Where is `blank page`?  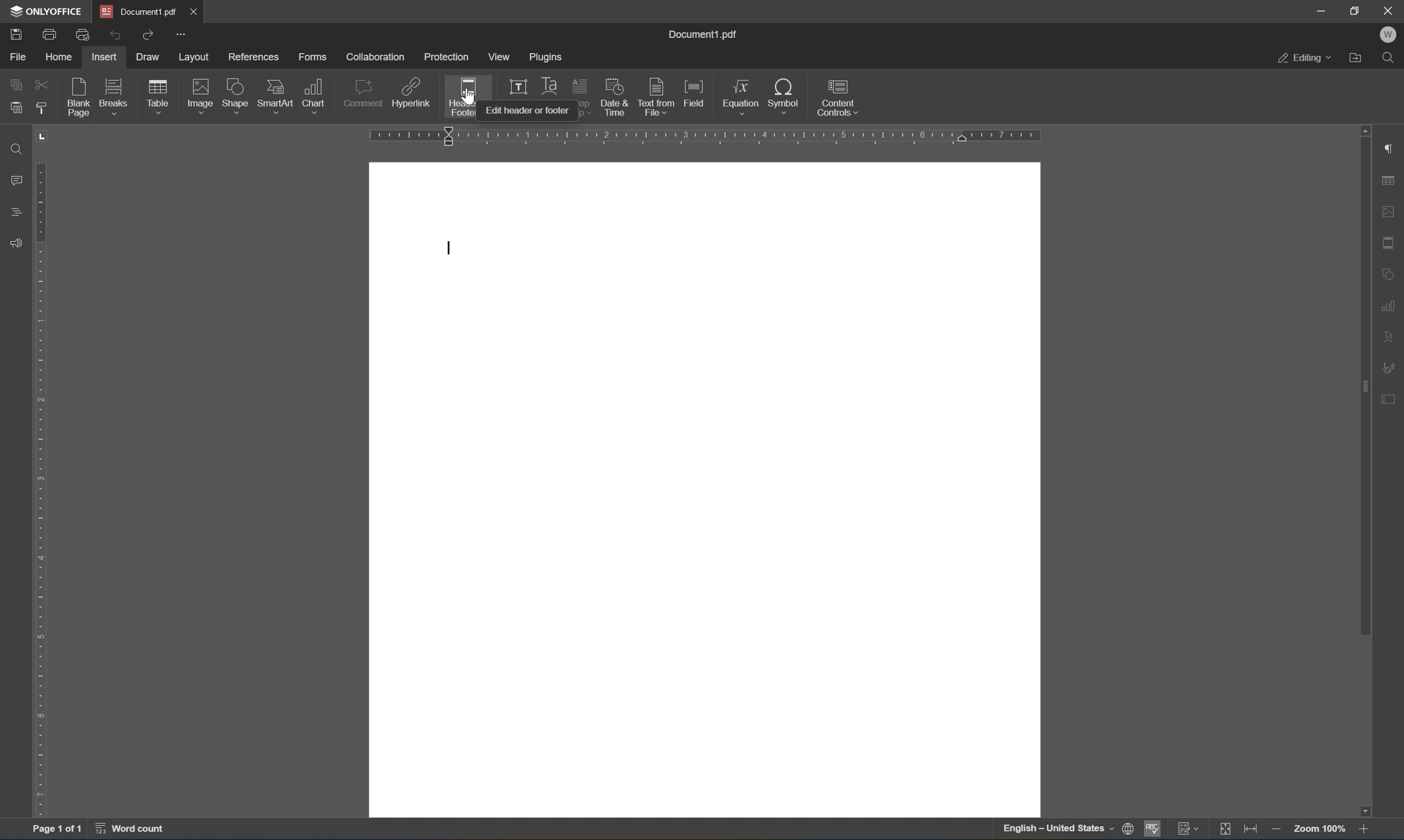
blank page is located at coordinates (79, 97).